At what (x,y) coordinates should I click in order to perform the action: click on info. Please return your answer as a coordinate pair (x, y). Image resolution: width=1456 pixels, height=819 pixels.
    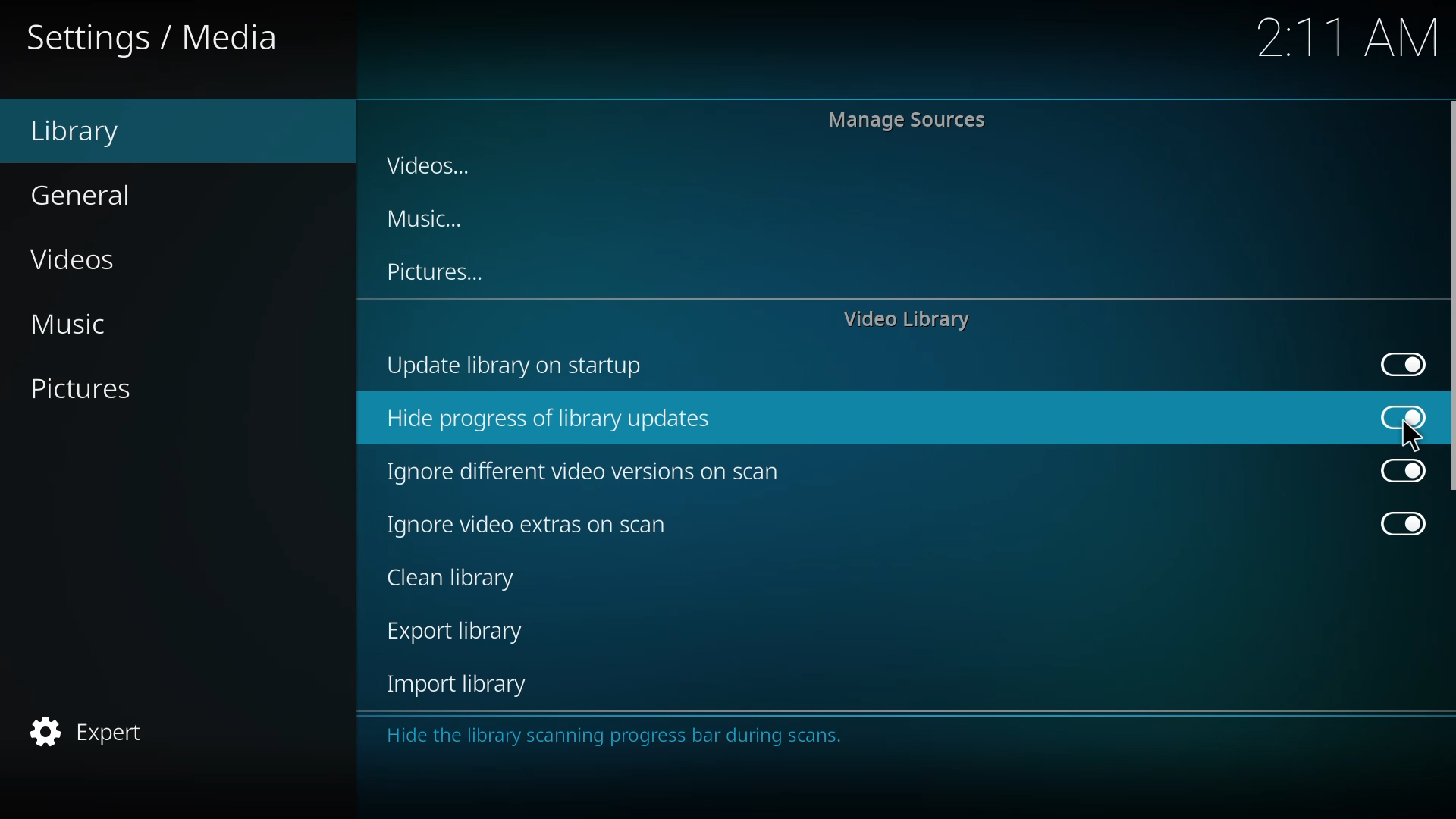
    Looking at the image, I should click on (619, 733).